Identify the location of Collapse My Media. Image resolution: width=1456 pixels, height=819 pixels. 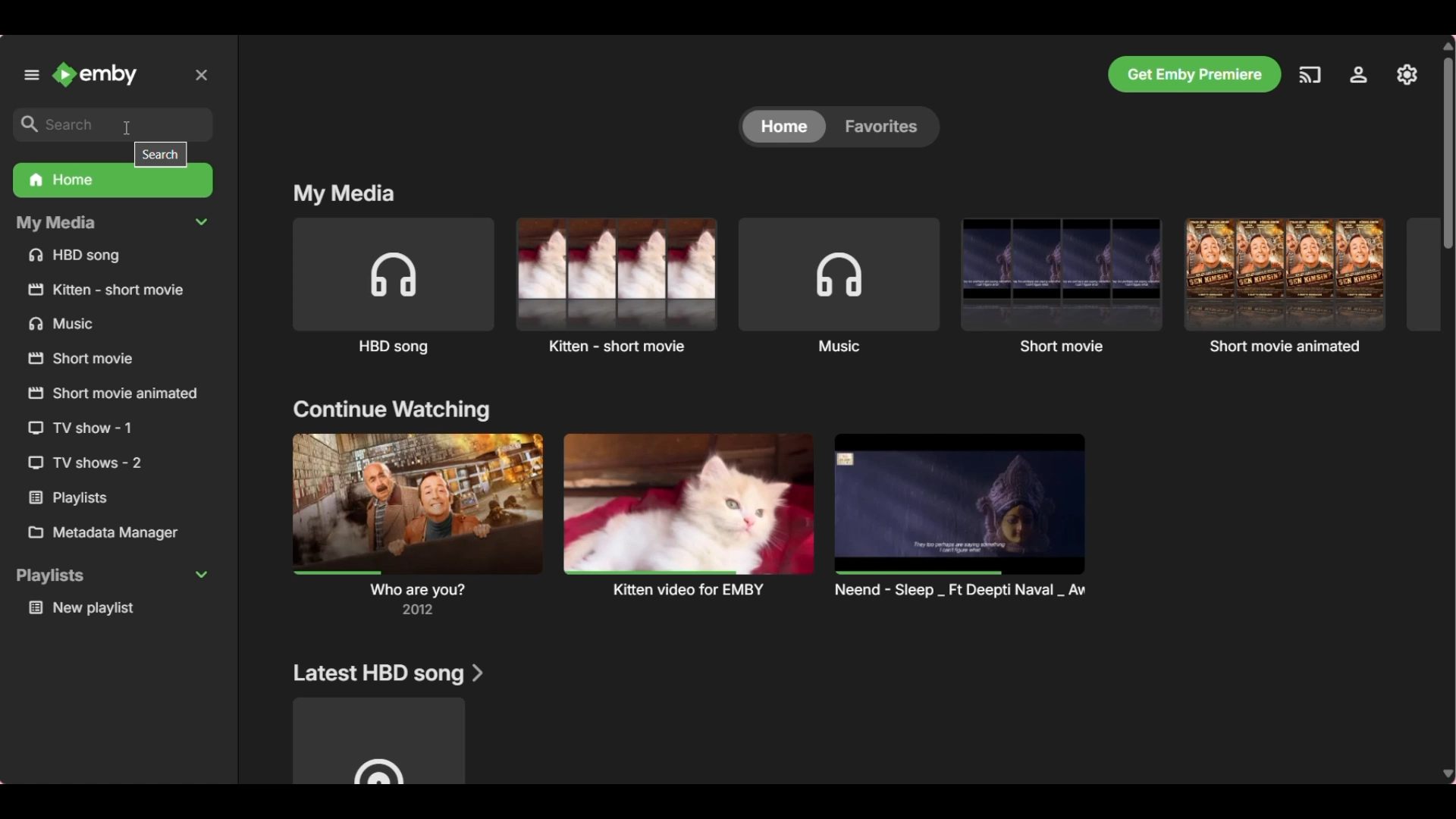
(113, 224).